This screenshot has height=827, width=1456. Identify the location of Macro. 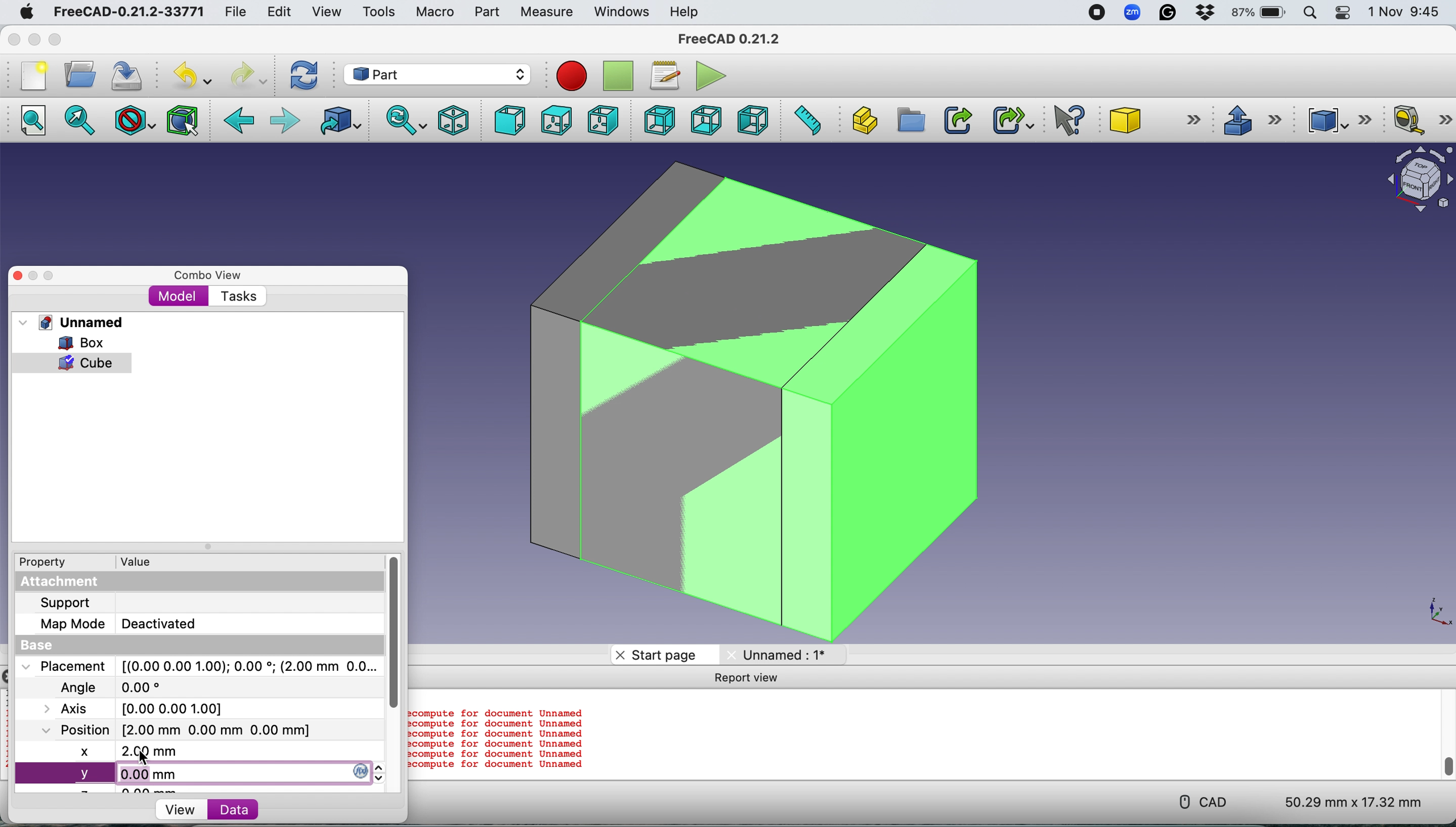
(435, 13).